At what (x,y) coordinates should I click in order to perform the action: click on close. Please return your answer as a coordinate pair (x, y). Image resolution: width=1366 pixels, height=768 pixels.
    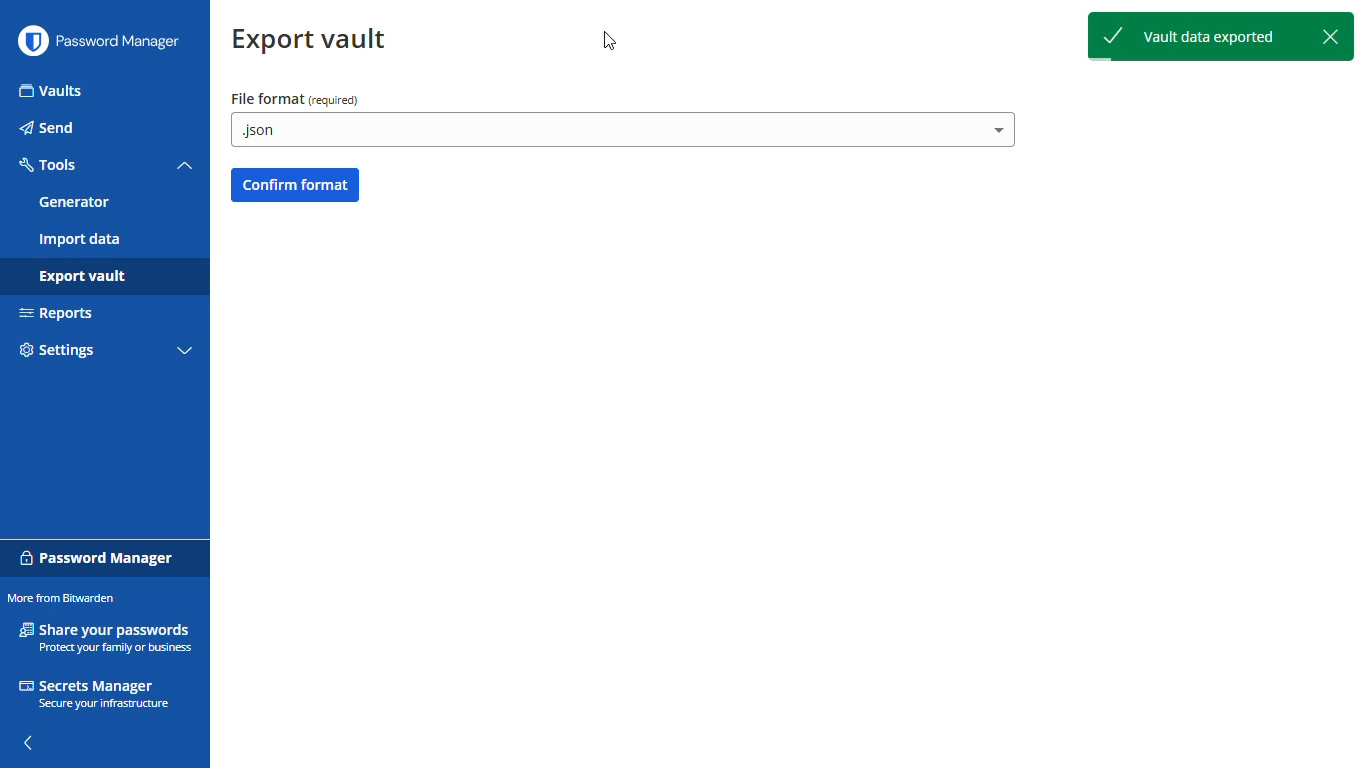
    Looking at the image, I should click on (1334, 37).